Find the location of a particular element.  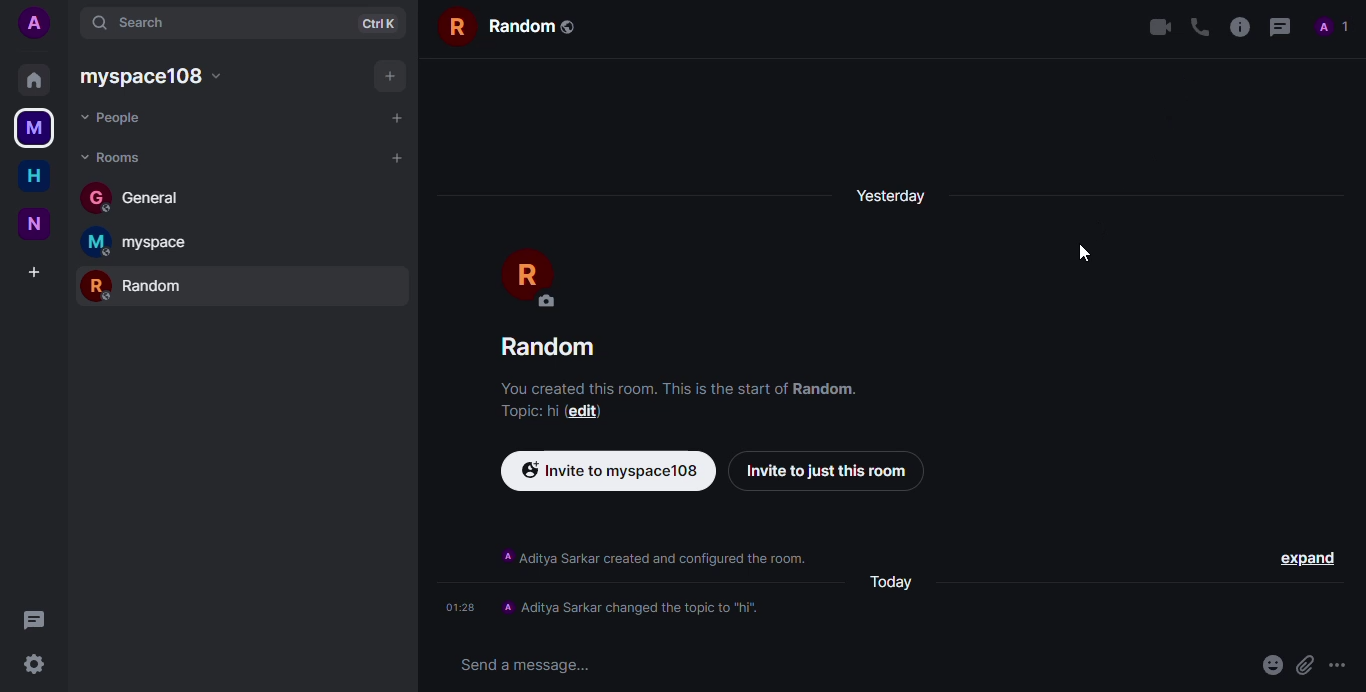

01:28 is located at coordinates (460, 603).